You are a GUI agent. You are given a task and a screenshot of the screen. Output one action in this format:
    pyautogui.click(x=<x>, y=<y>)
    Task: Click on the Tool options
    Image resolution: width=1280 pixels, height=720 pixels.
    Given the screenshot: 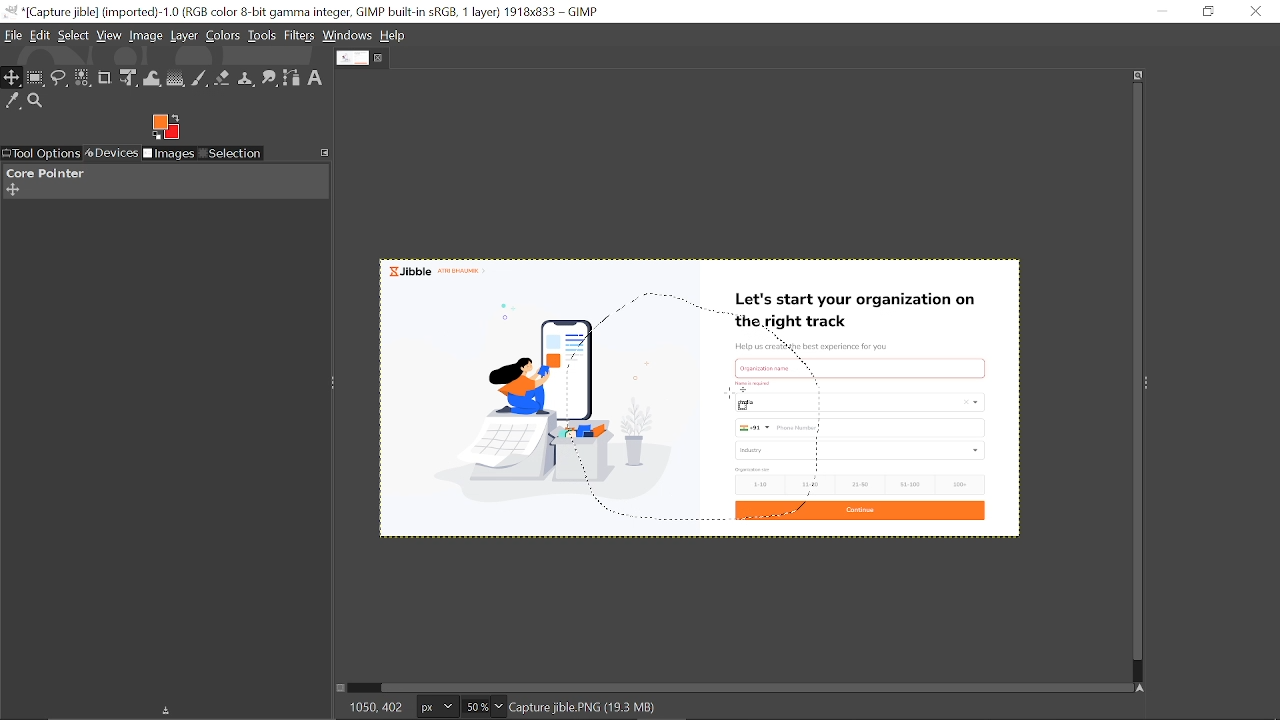 What is the action you would take?
    pyautogui.click(x=40, y=154)
    